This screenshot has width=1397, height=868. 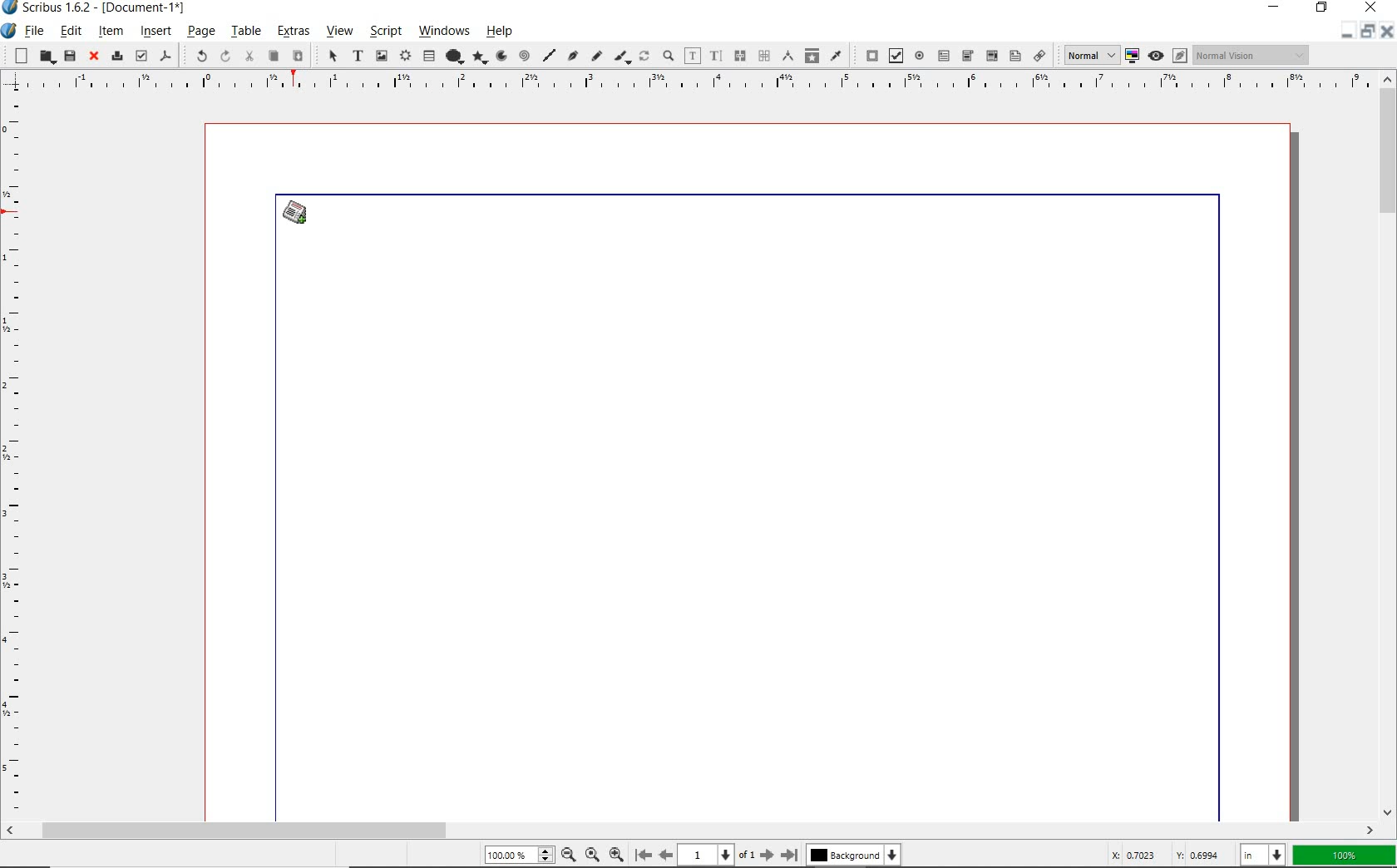 What do you see at coordinates (573, 56) in the screenshot?
I see `Bezier curve` at bounding box center [573, 56].